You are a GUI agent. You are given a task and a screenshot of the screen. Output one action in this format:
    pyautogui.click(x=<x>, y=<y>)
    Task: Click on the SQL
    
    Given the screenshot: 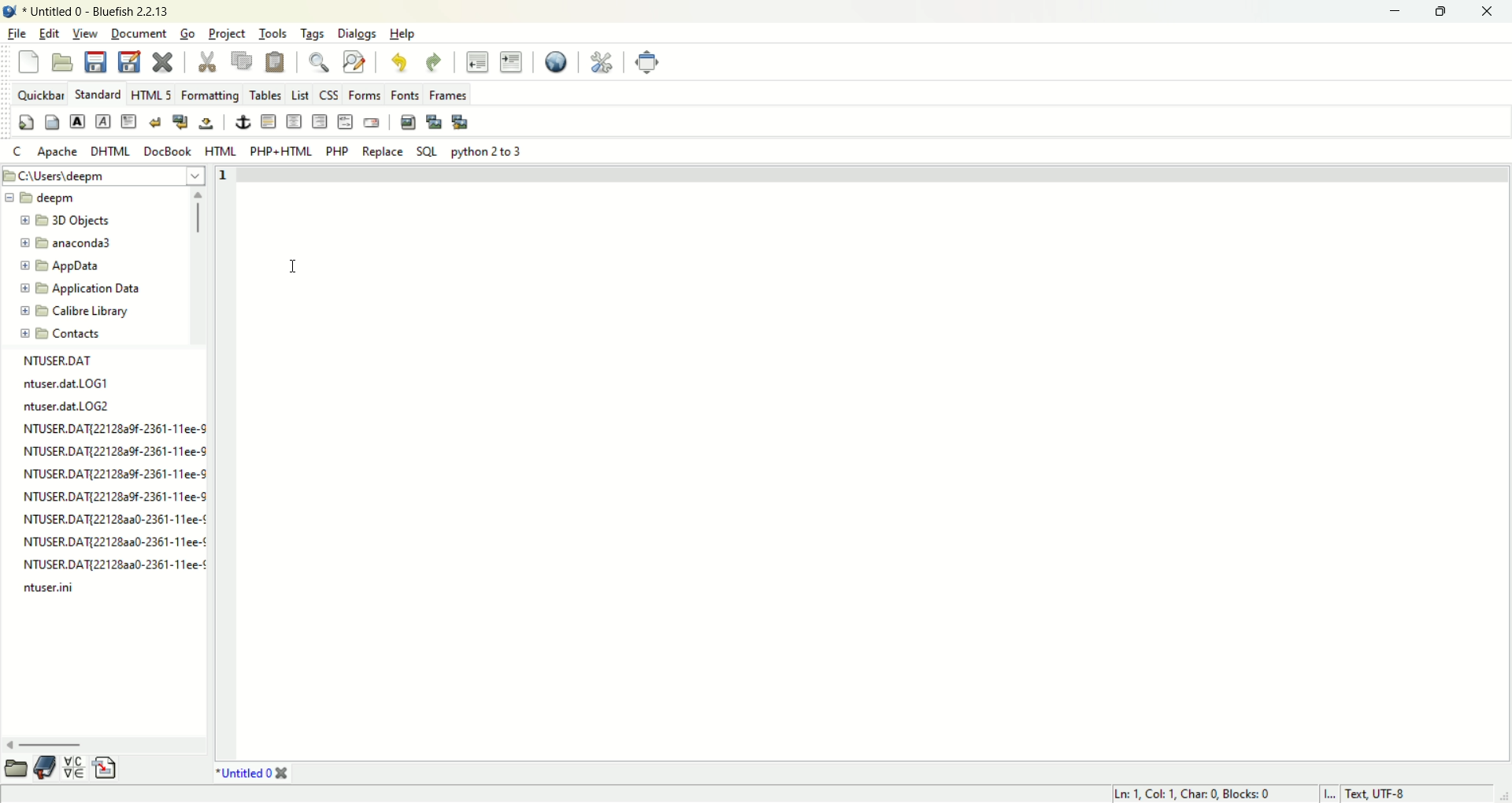 What is the action you would take?
    pyautogui.click(x=427, y=151)
    